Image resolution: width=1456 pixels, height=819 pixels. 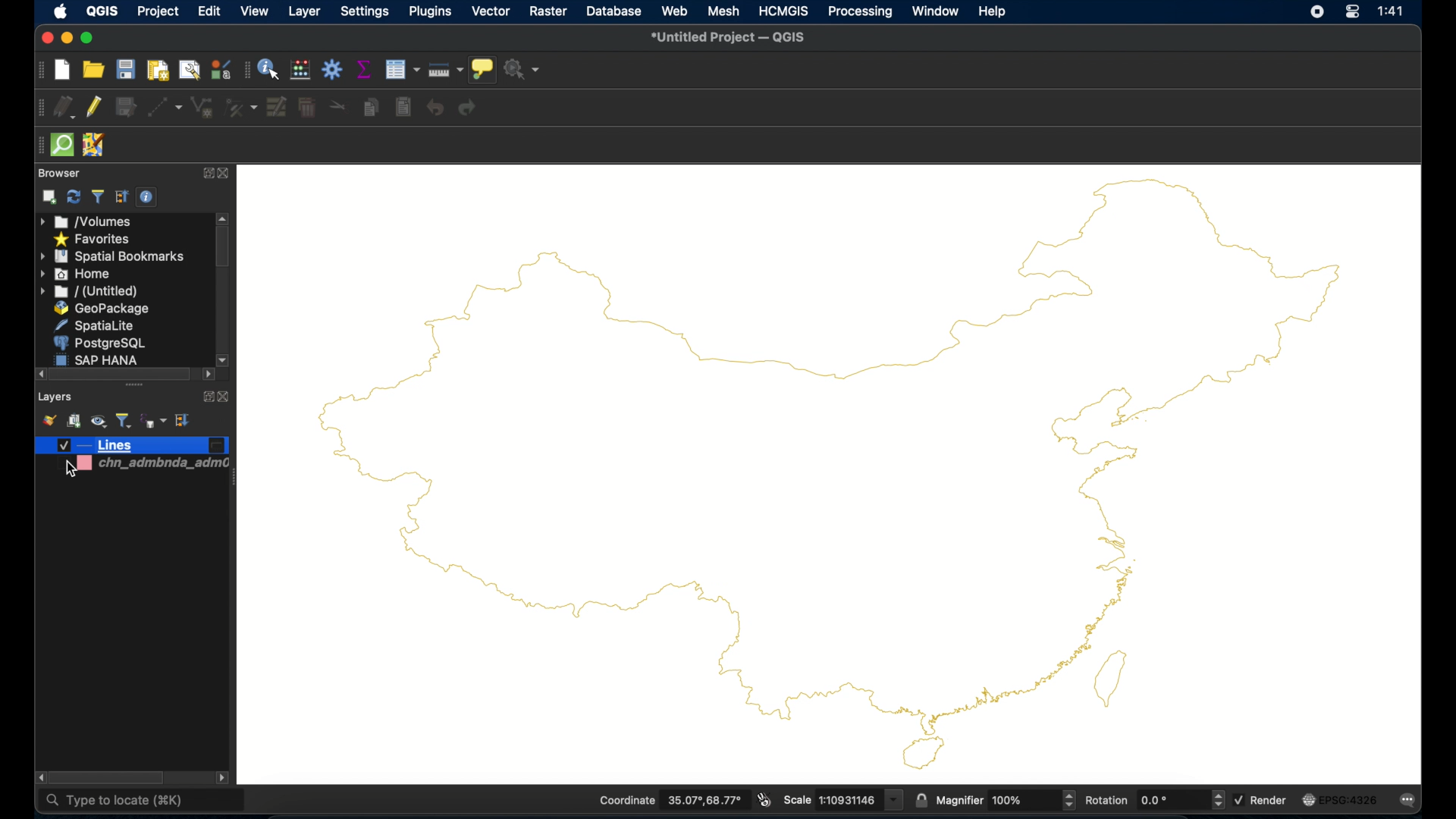 I want to click on scroll left arrow, so click(x=36, y=374).